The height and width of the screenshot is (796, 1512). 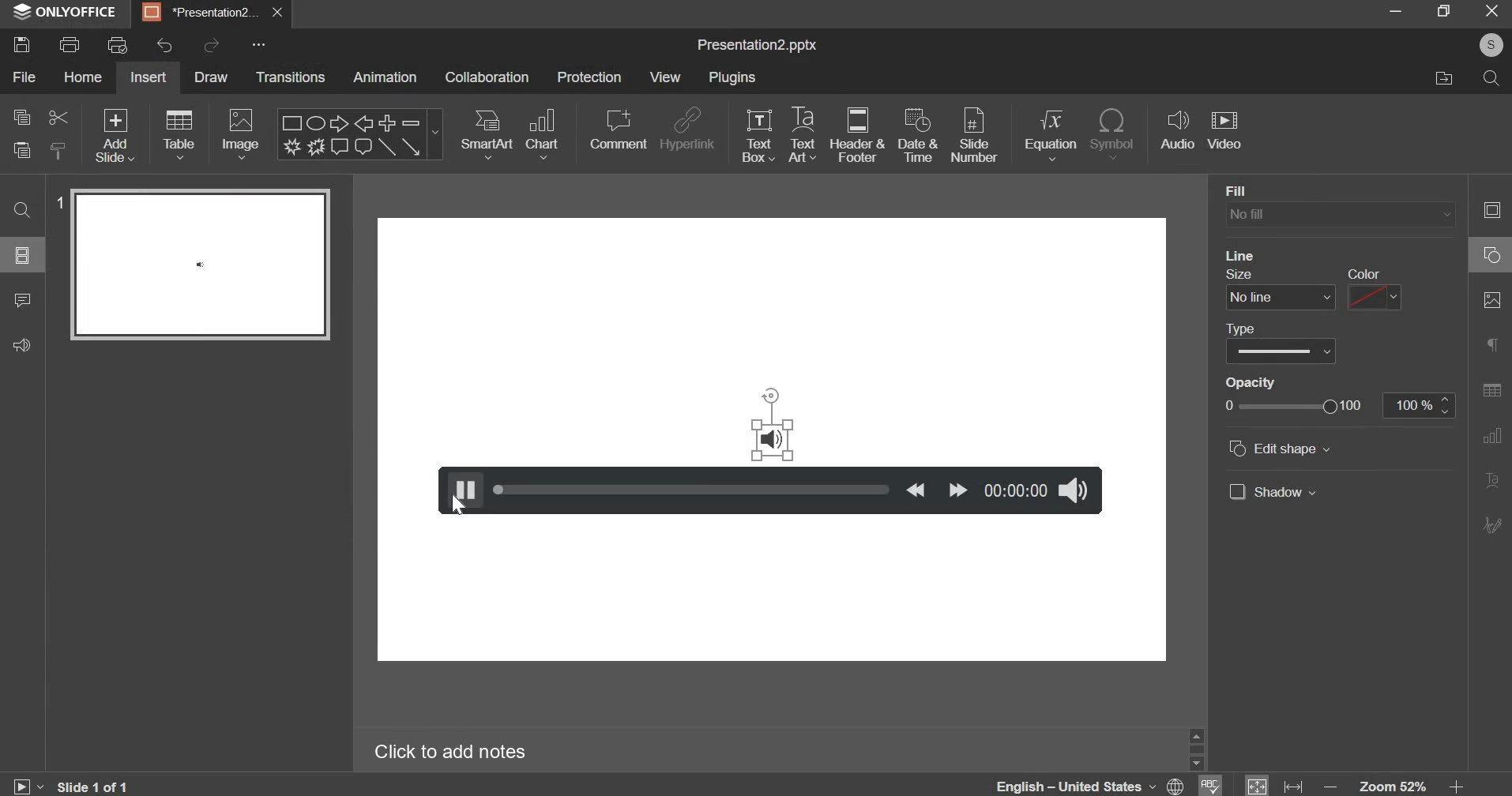 I want to click on move back, so click(x=916, y=490).